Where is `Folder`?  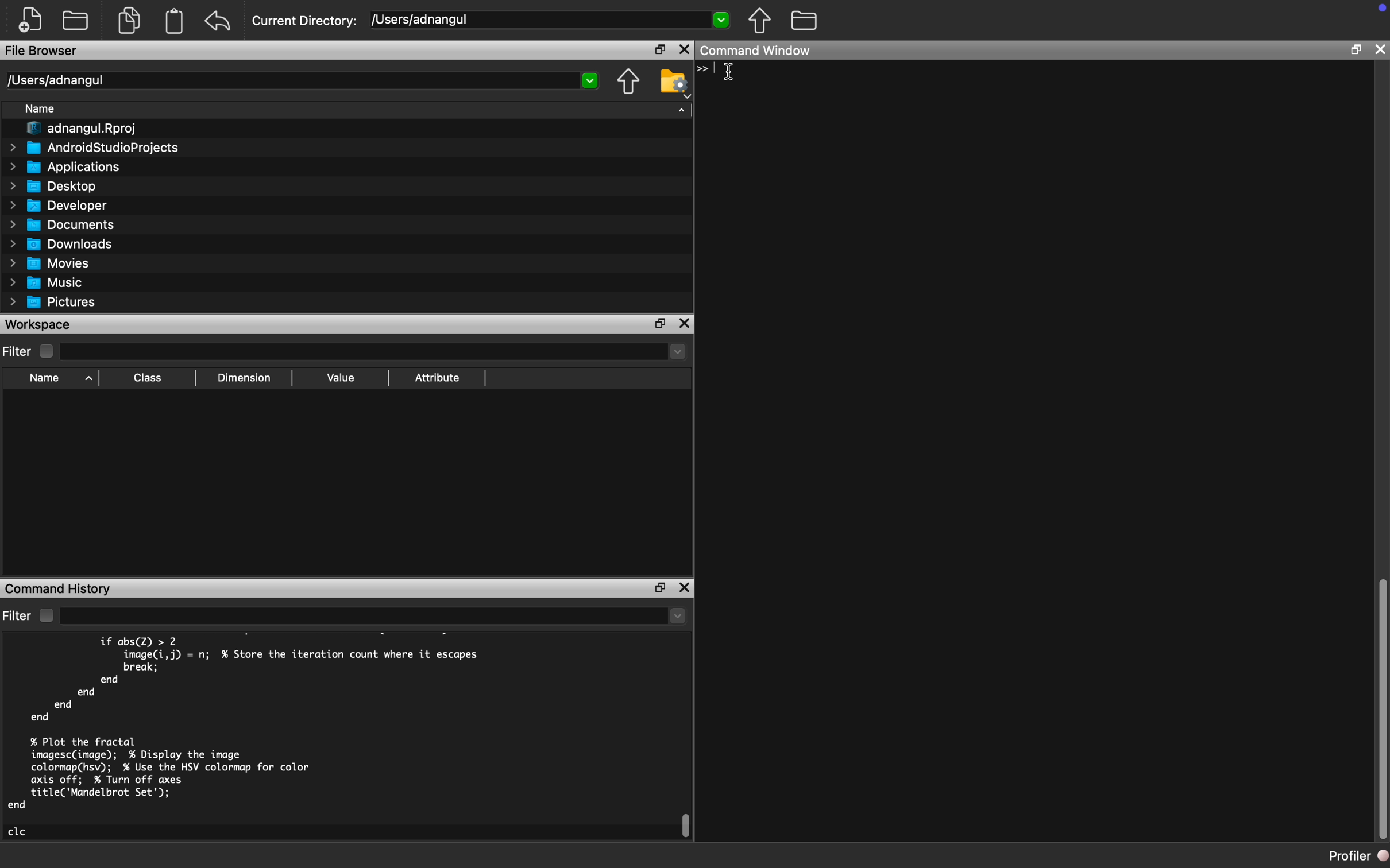 Folder is located at coordinates (804, 21).